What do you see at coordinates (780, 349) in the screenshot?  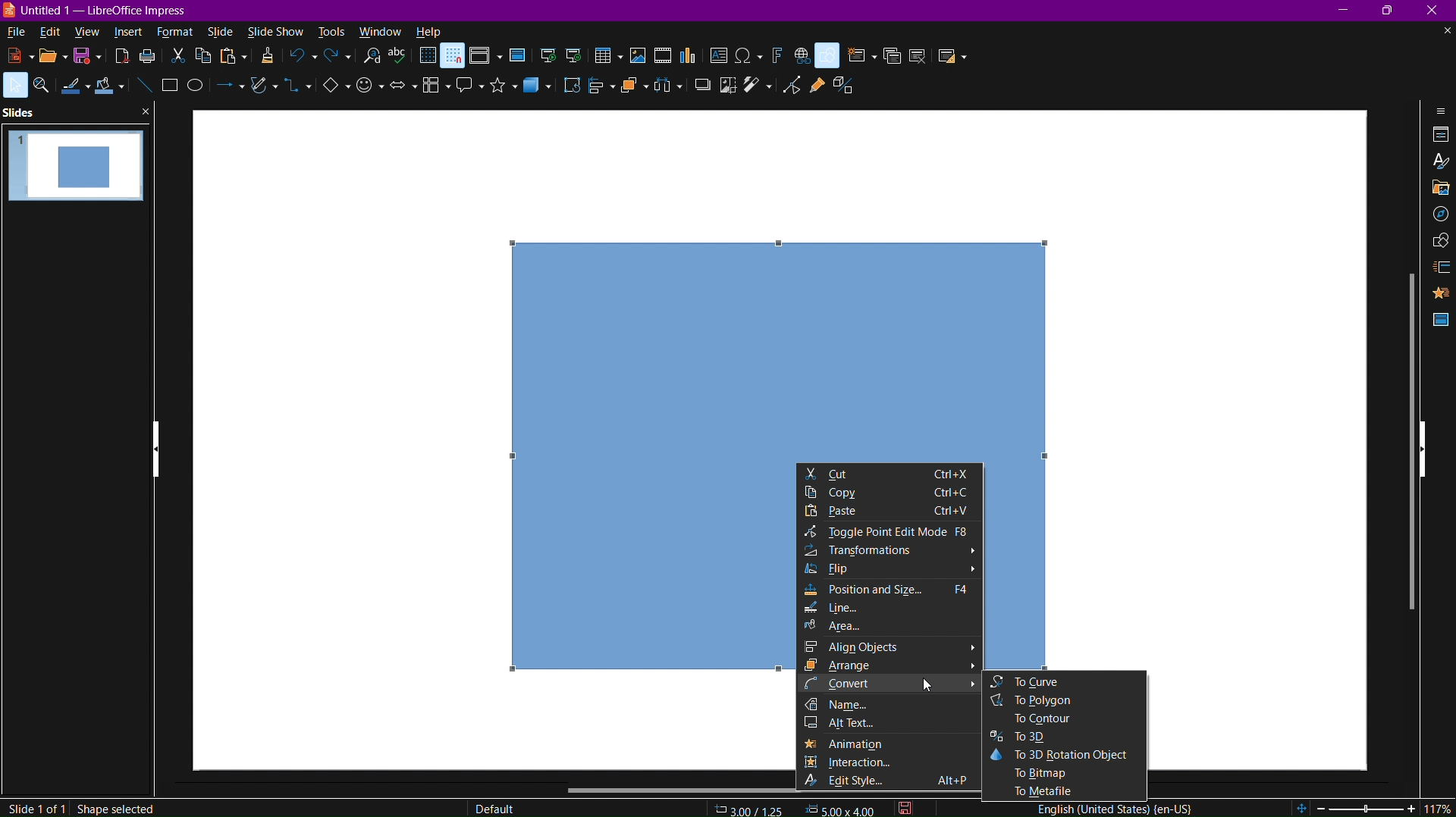 I see `Rectangle 2D` at bounding box center [780, 349].